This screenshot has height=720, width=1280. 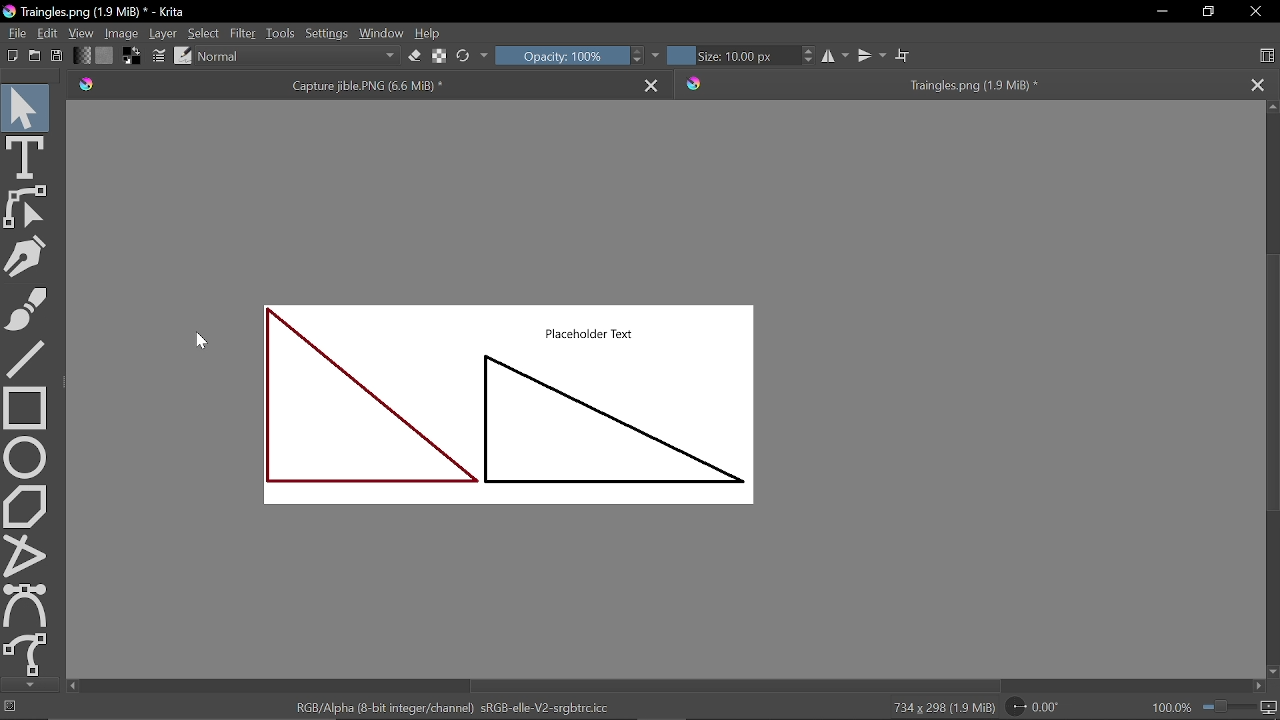 What do you see at coordinates (354, 85) in the screenshot?
I see `Capture jible.PNG (6.6 MiB) *` at bounding box center [354, 85].